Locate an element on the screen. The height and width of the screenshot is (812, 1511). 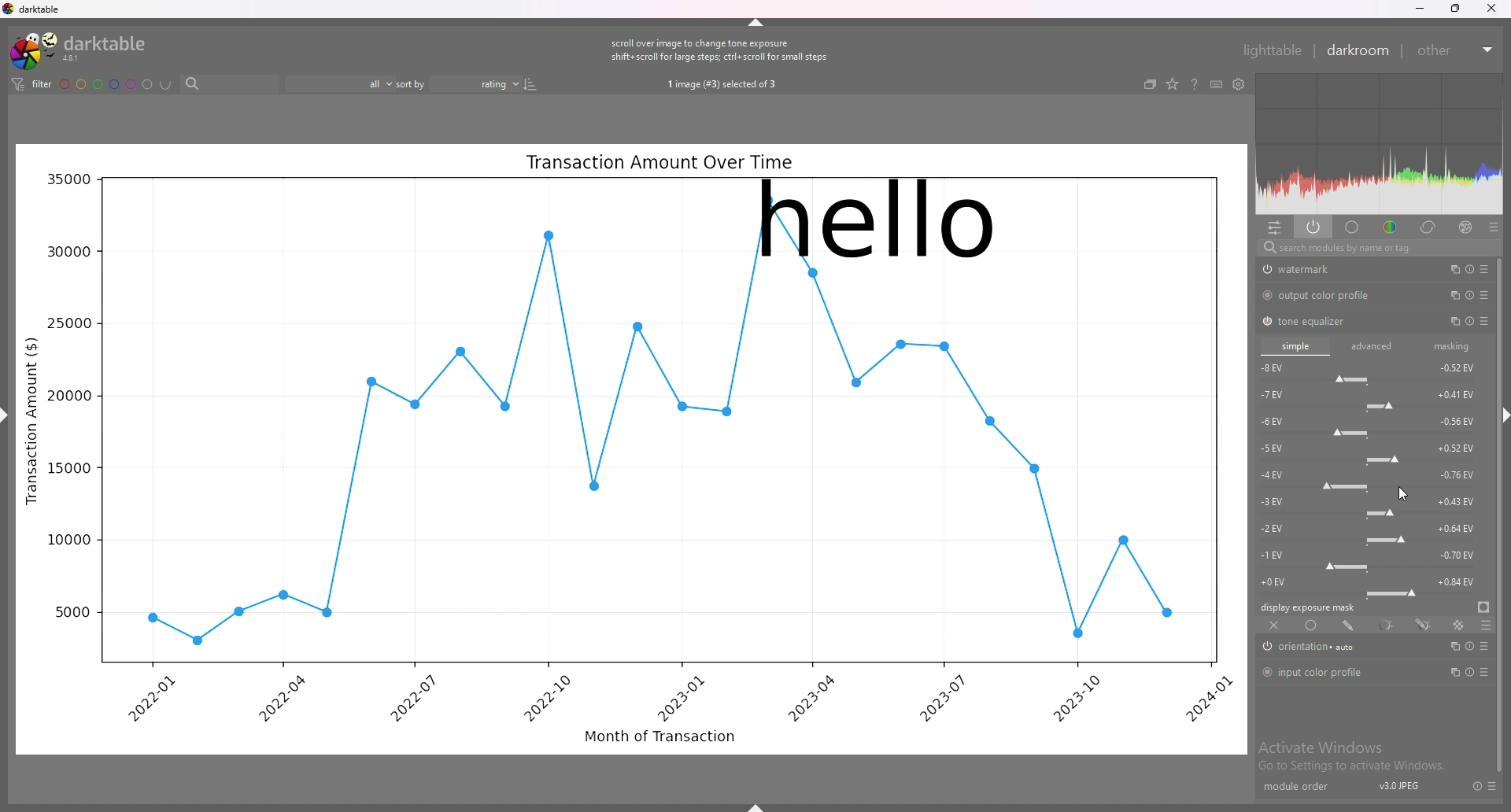
hide sidebar is located at coordinates (1506, 417).